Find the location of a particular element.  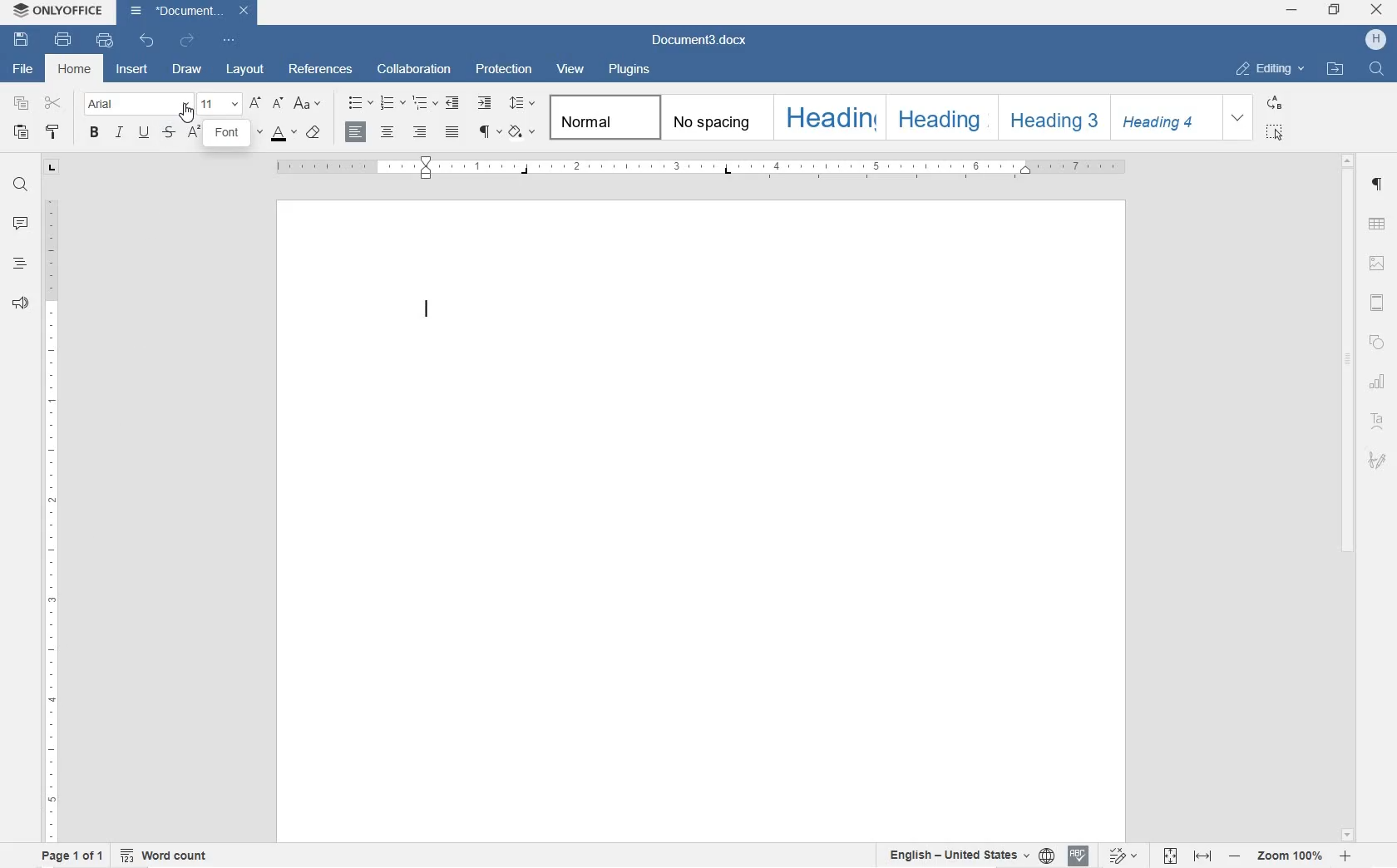

Document3.docx is located at coordinates (191, 12).